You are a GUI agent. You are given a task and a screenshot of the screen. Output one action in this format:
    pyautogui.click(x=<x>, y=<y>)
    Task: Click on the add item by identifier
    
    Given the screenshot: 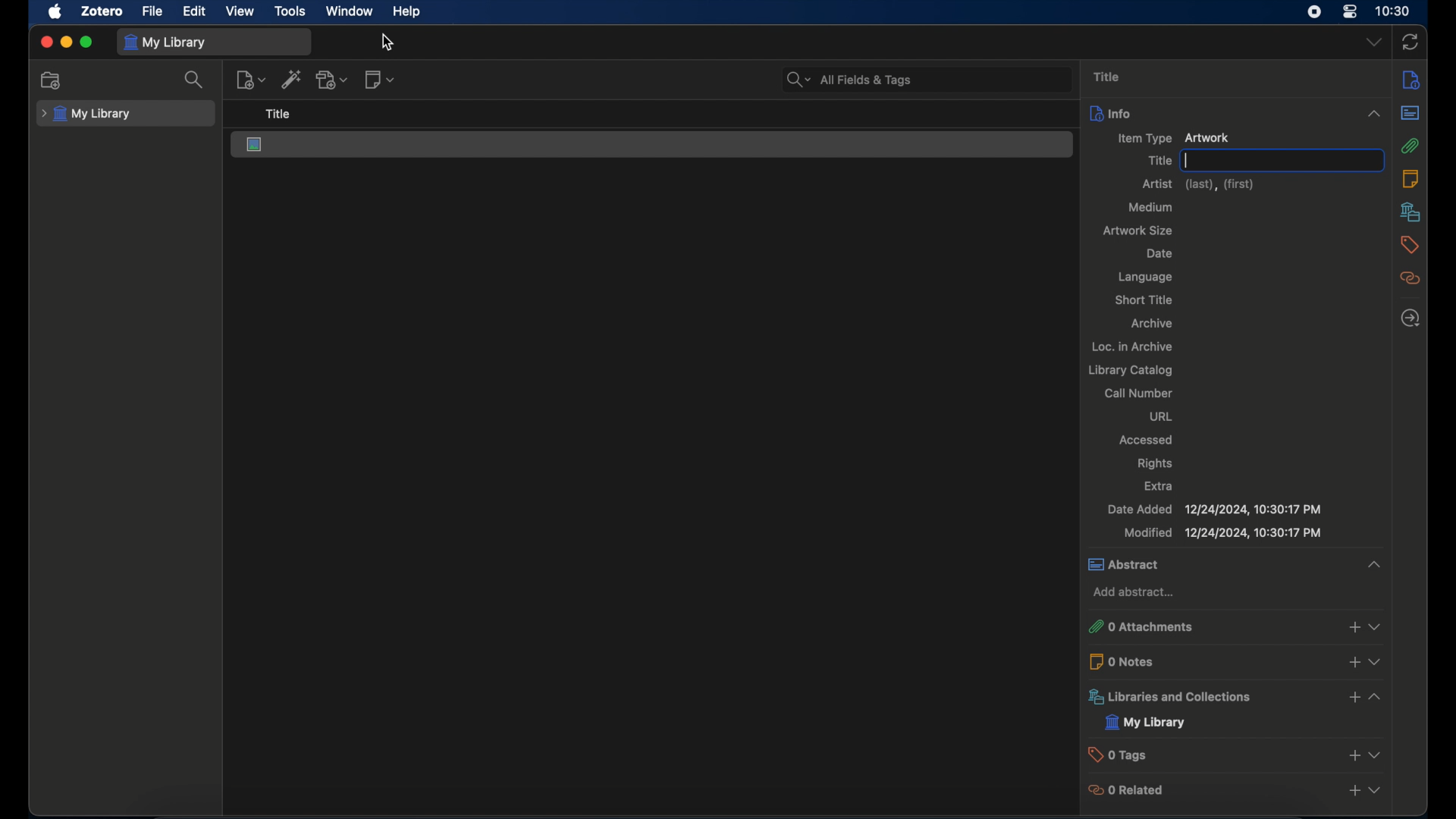 What is the action you would take?
    pyautogui.click(x=292, y=79)
    